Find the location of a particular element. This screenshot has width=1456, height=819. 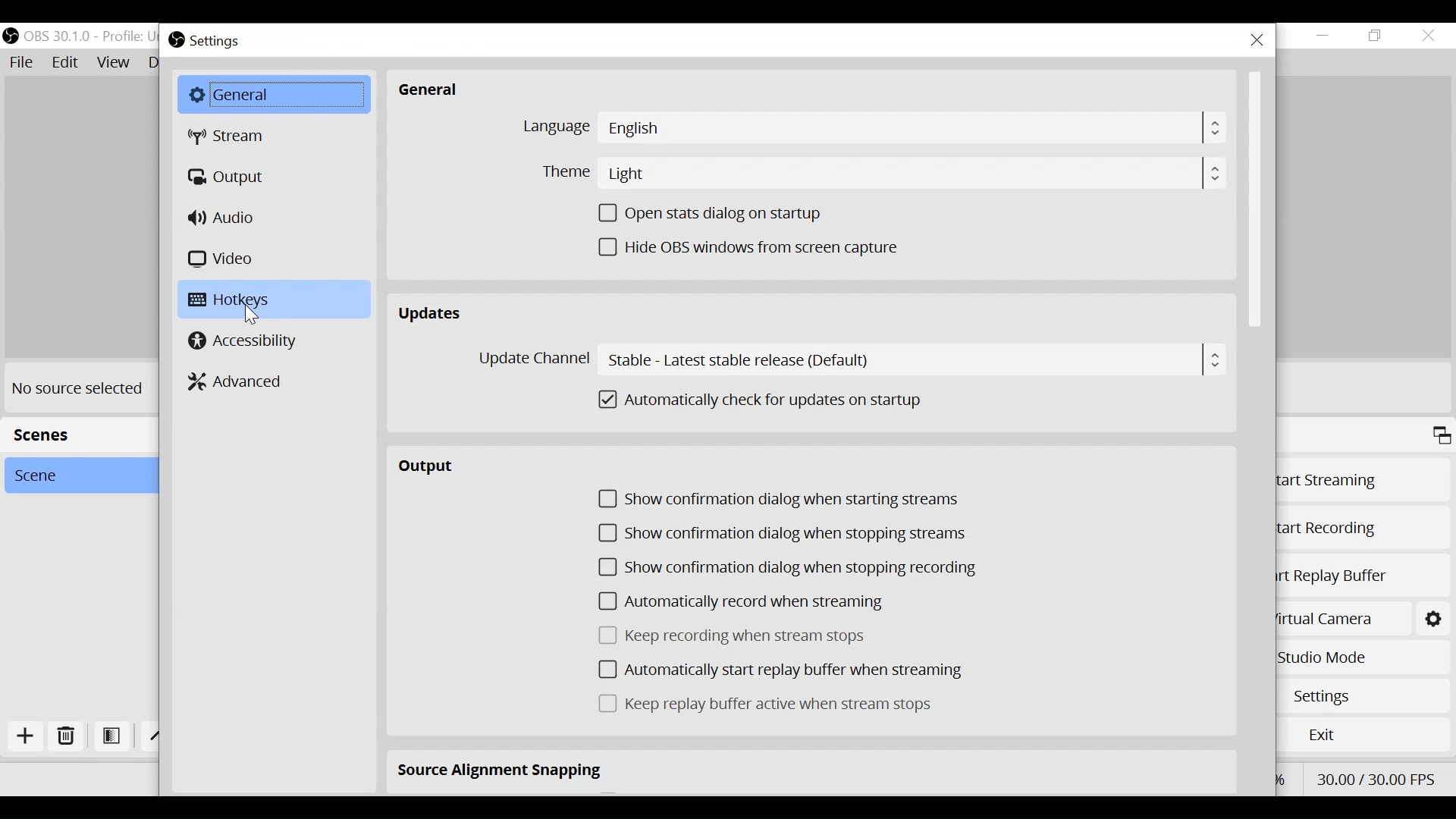

Updates is located at coordinates (431, 314).